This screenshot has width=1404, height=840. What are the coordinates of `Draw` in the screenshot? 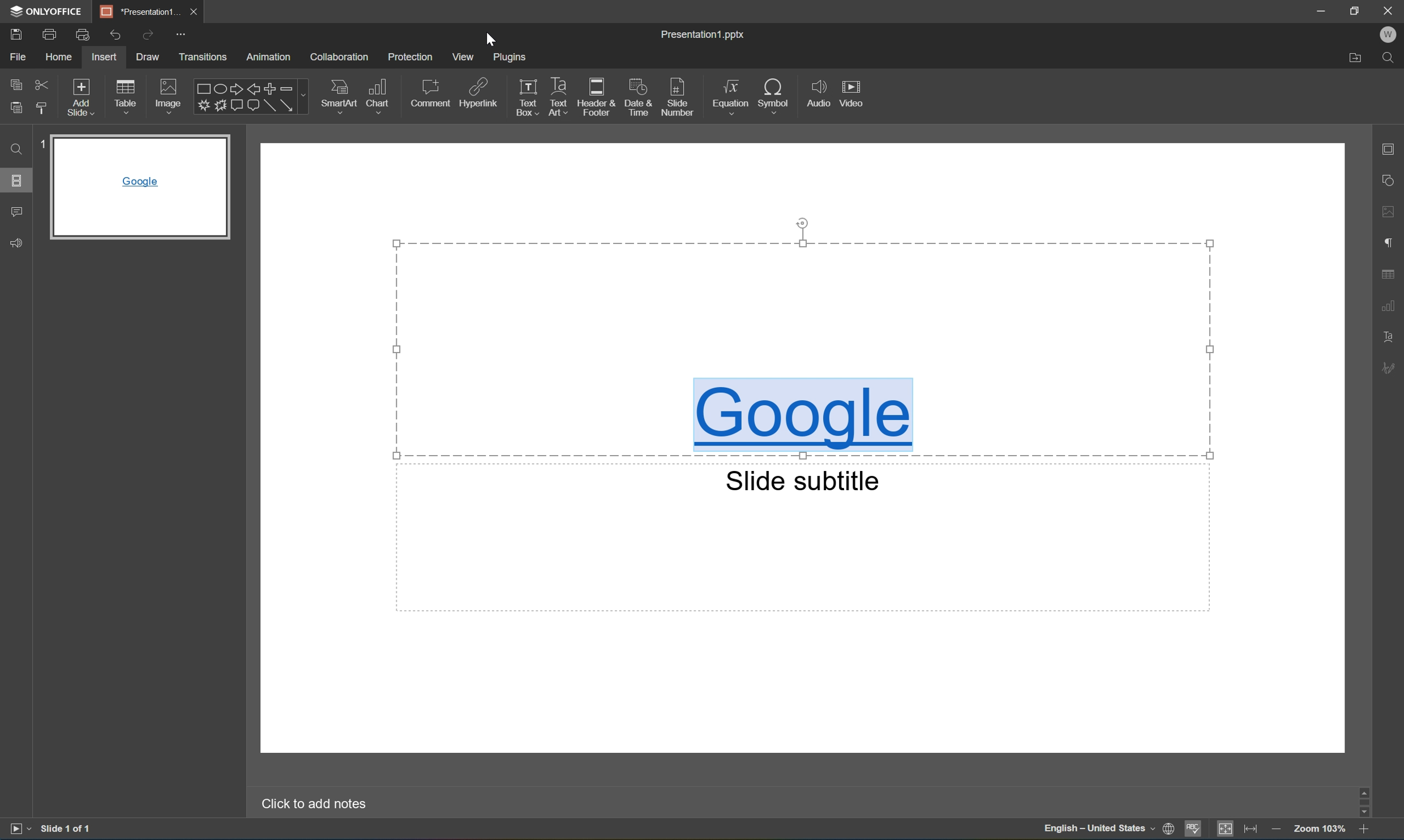 It's located at (147, 57).